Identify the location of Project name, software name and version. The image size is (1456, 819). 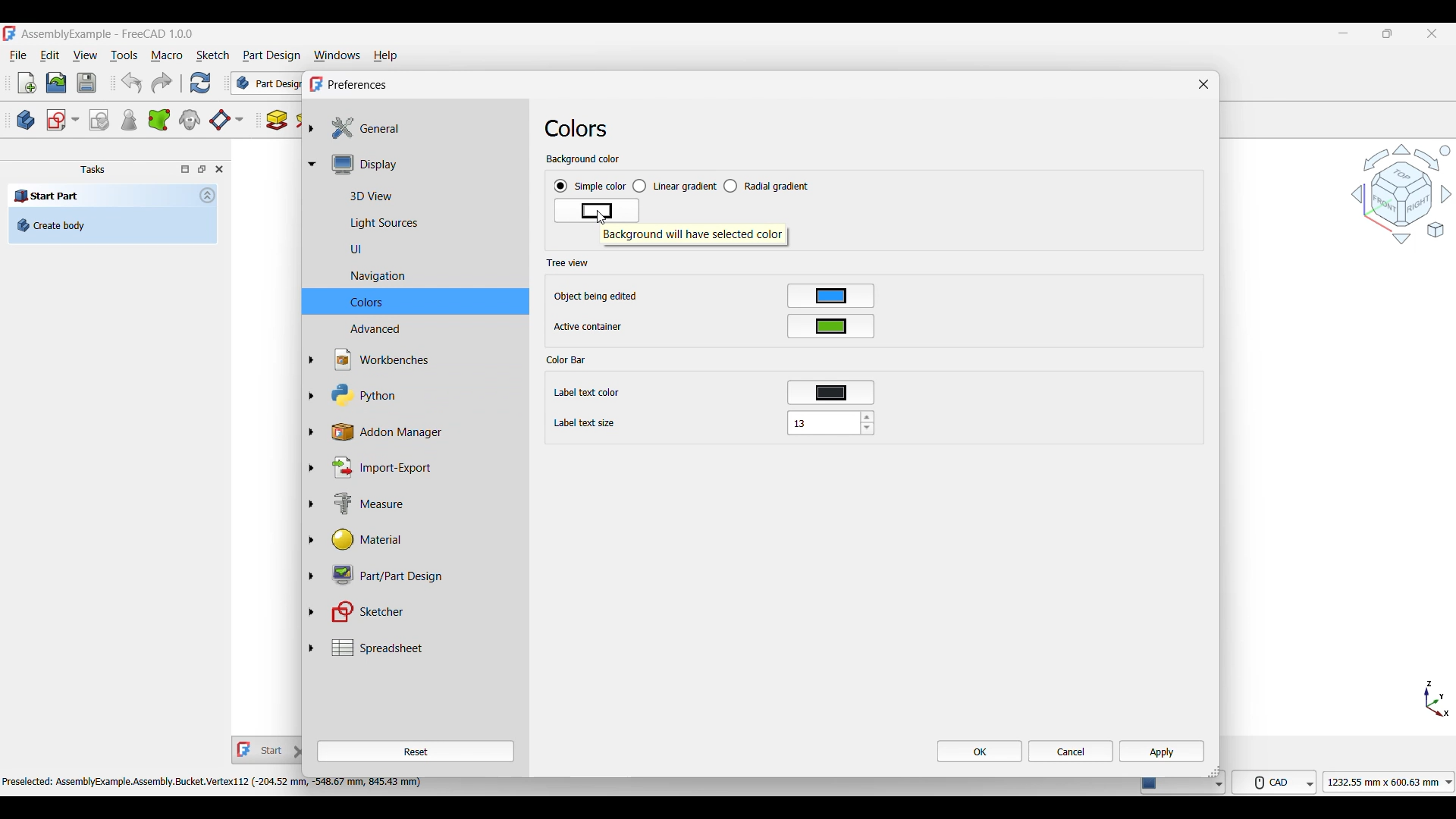
(108, 34).